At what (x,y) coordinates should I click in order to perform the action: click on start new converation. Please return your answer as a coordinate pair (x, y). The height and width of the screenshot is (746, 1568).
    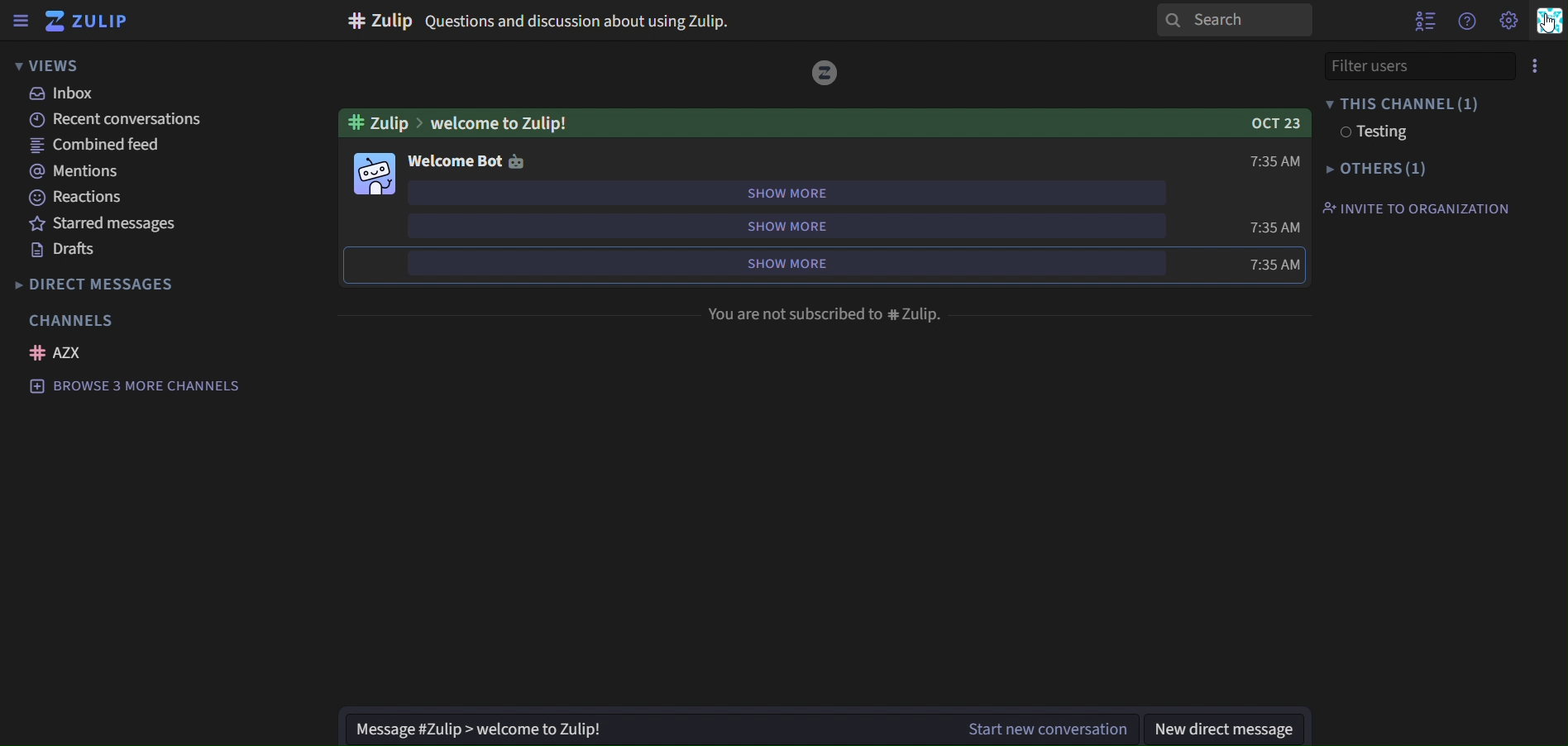
    Looking at the image, I should click on (1045, 726).